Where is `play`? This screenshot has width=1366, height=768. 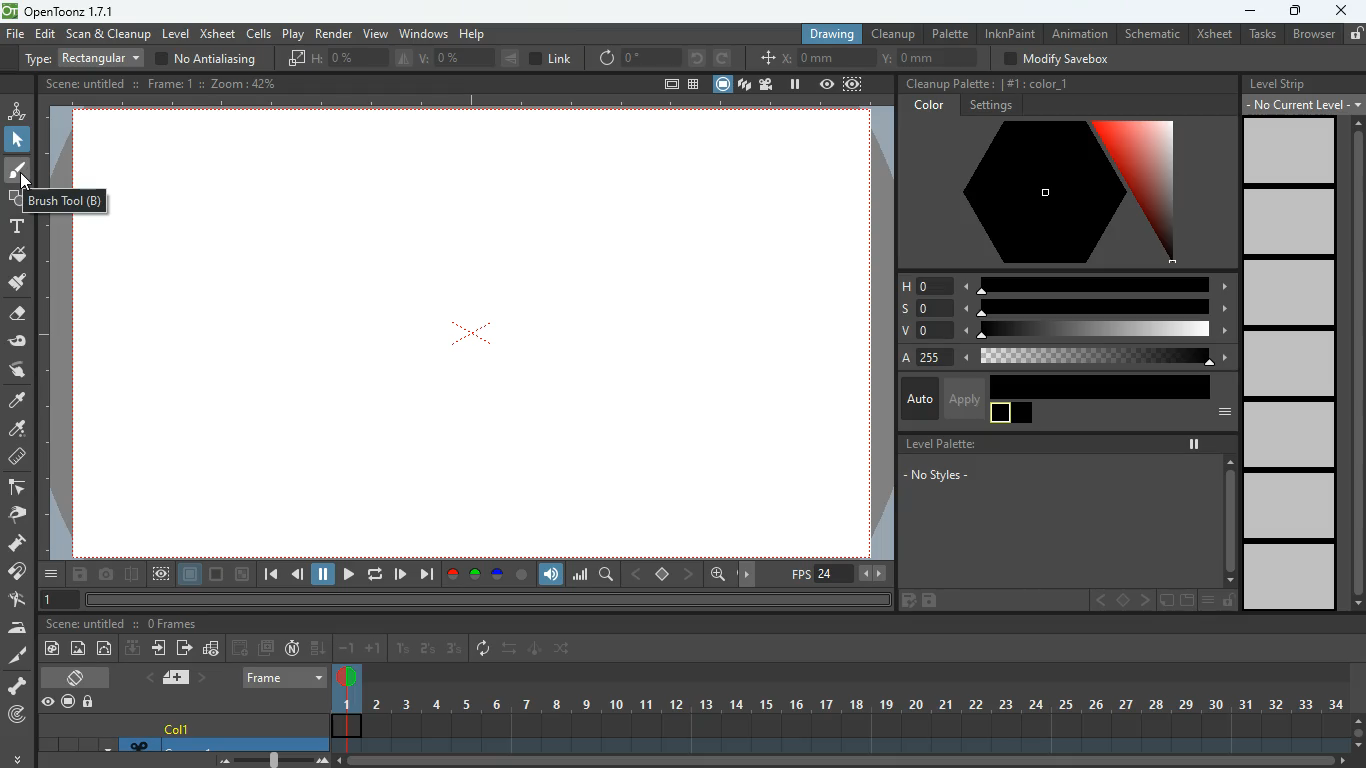 play is located at coordinates (295, 33).